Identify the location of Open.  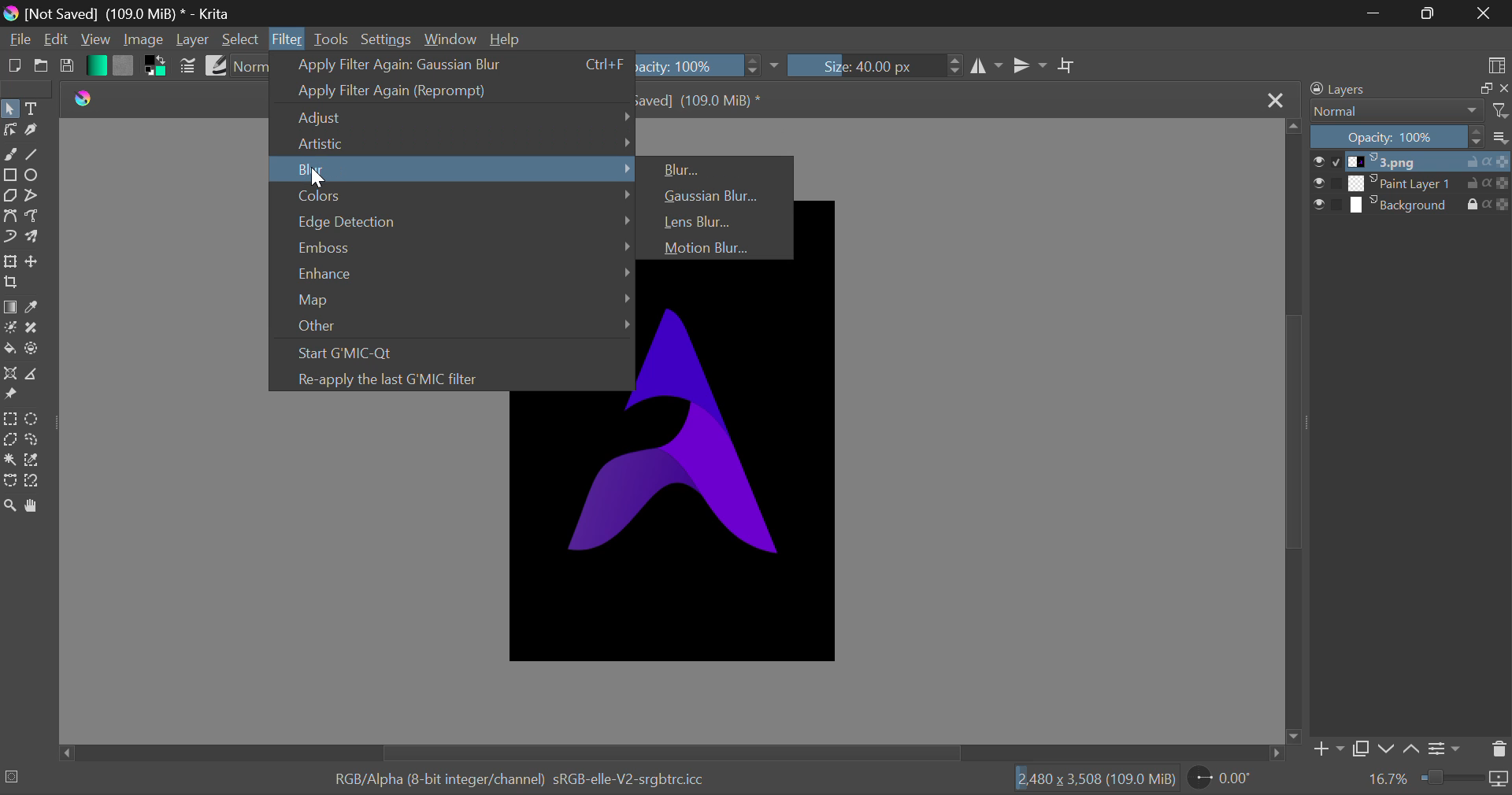
(39, 68).